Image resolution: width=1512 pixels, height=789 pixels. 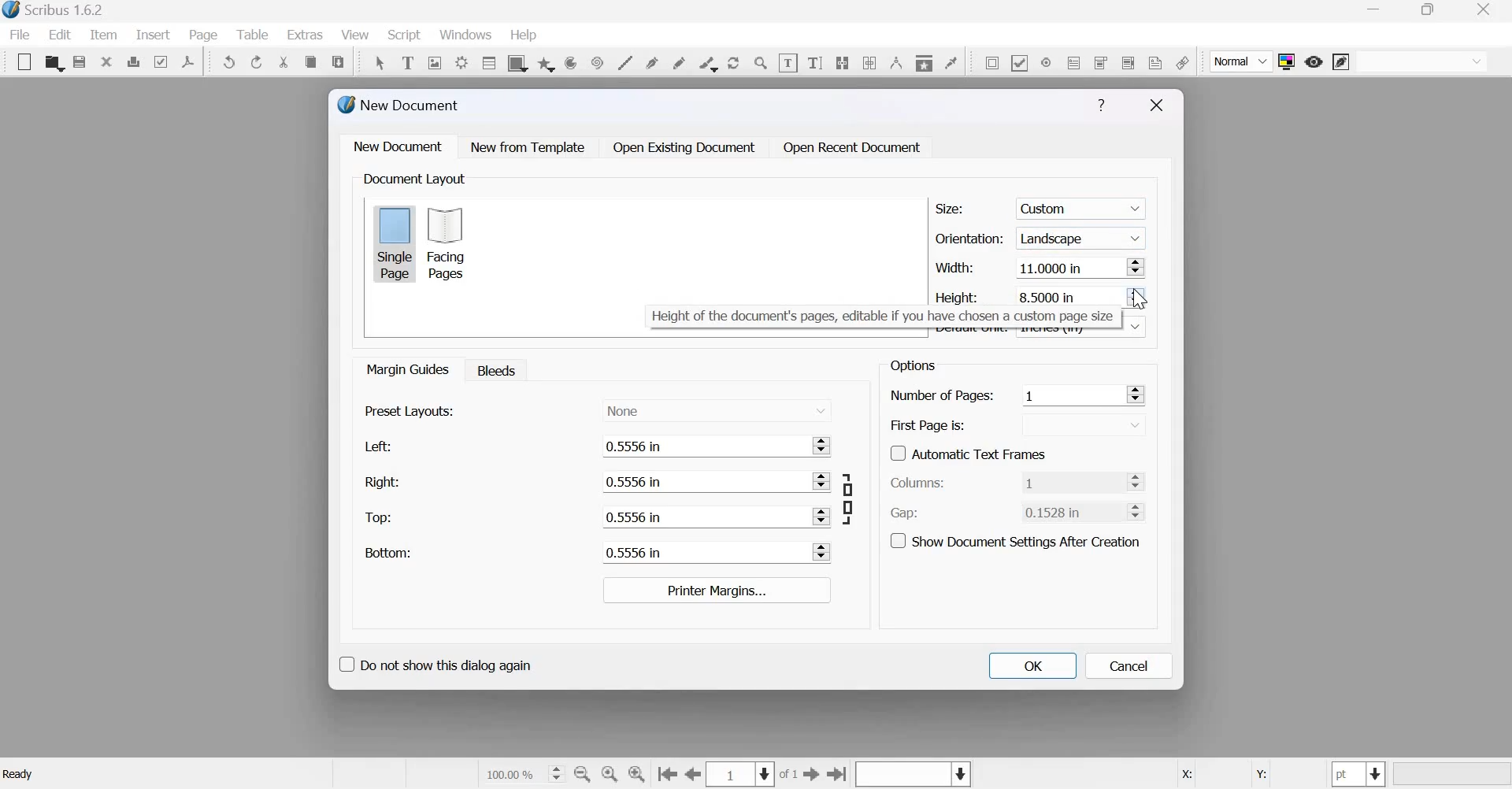 What do you see at coordinates (546, 62) in the screenshot?
I see `arc` at bounding box center [546, 62].